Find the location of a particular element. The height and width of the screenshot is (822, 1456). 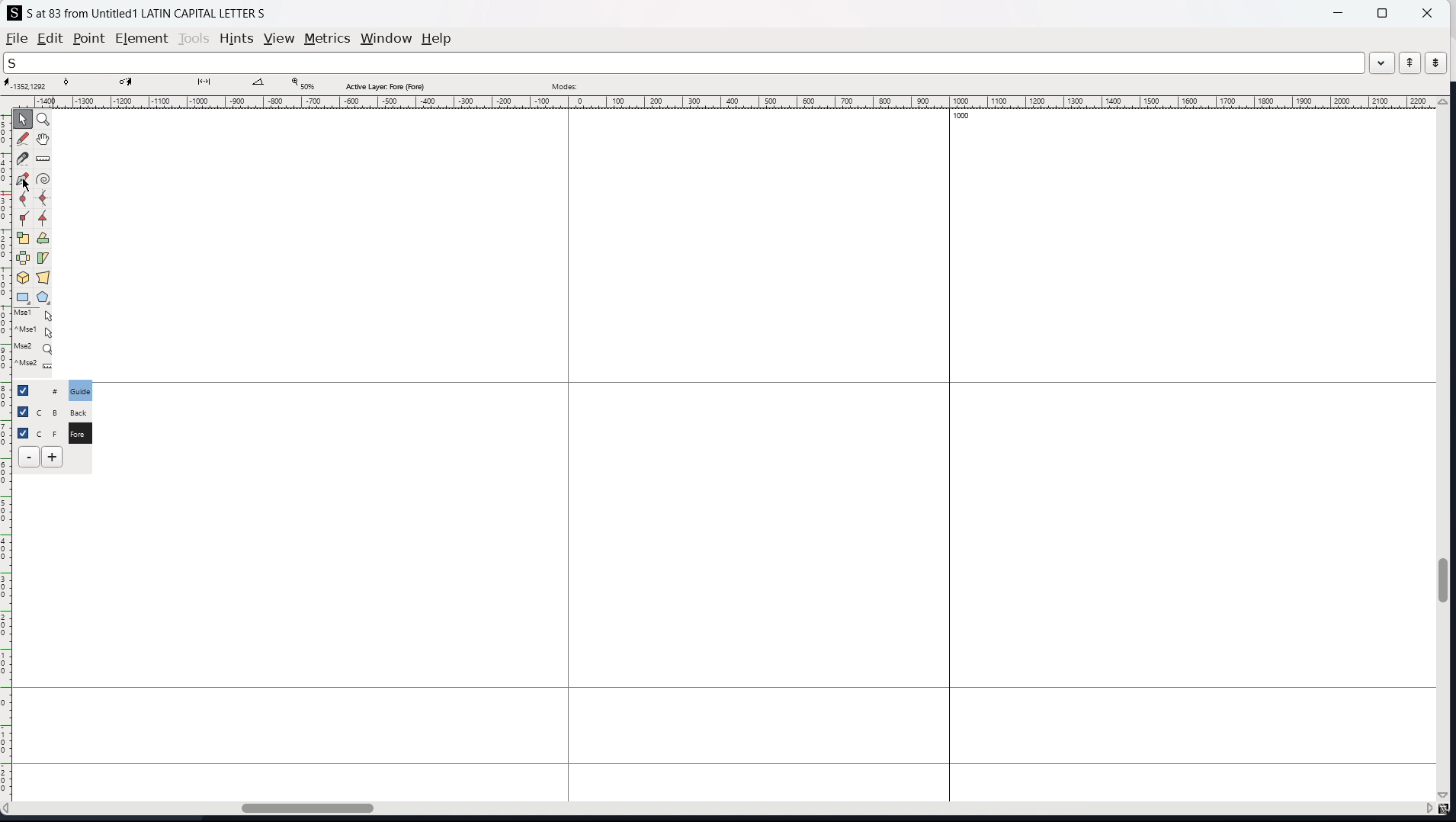

element is located at coordinates (143, 39).